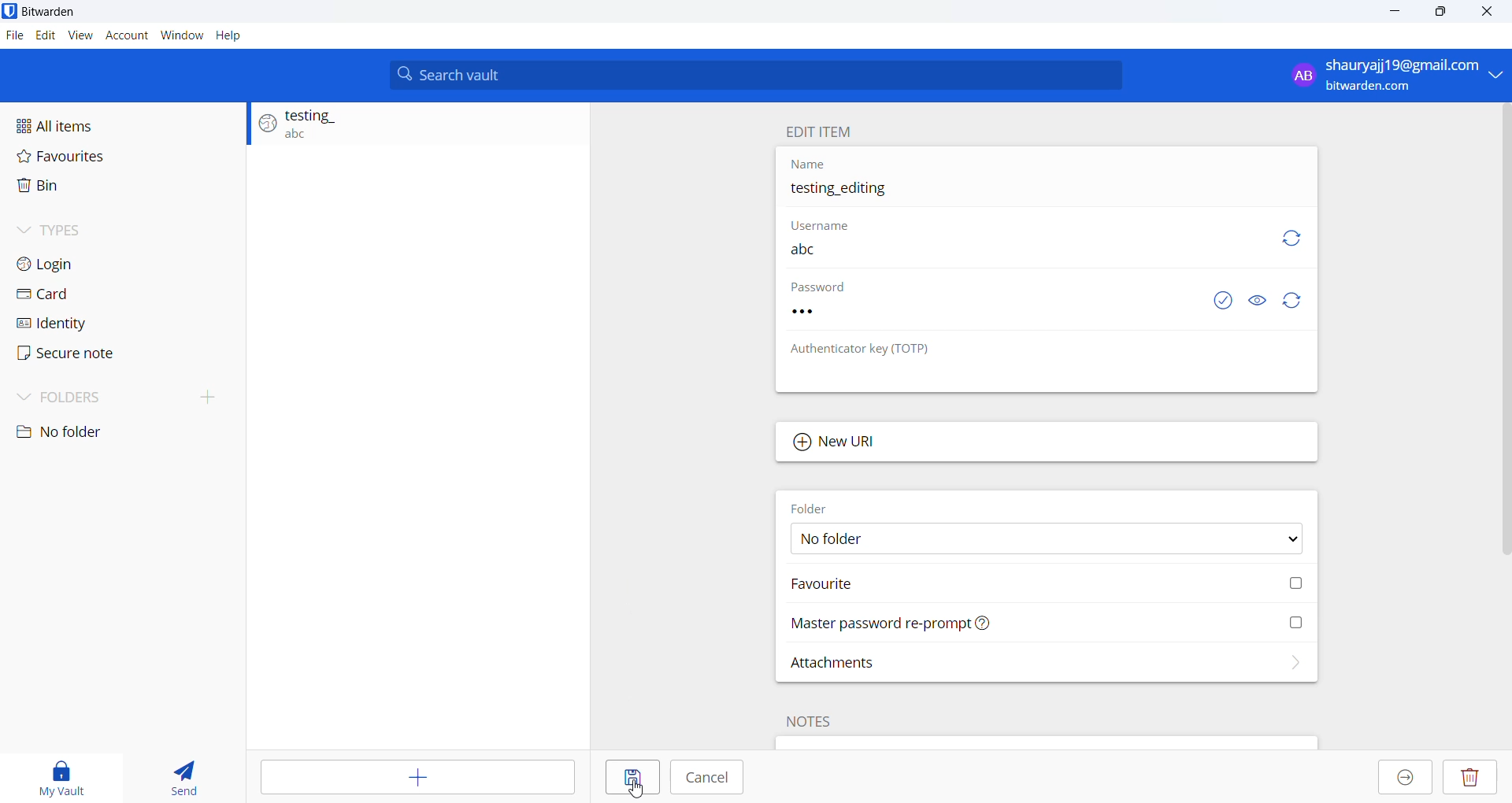 Image resolution: width=1512 pixels, height=803 pixels. I want to click on Account, so click(125, 34).